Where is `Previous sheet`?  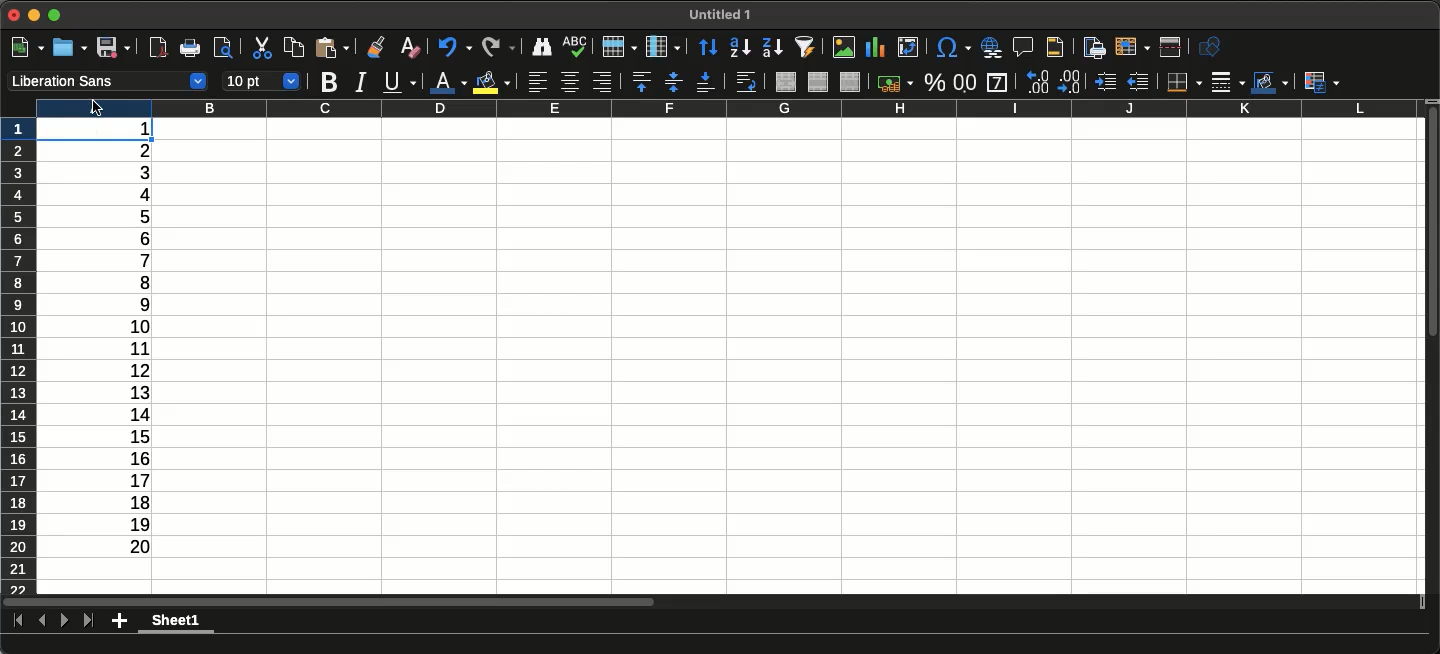 Previous sheet is located at coordinates (44, 620).